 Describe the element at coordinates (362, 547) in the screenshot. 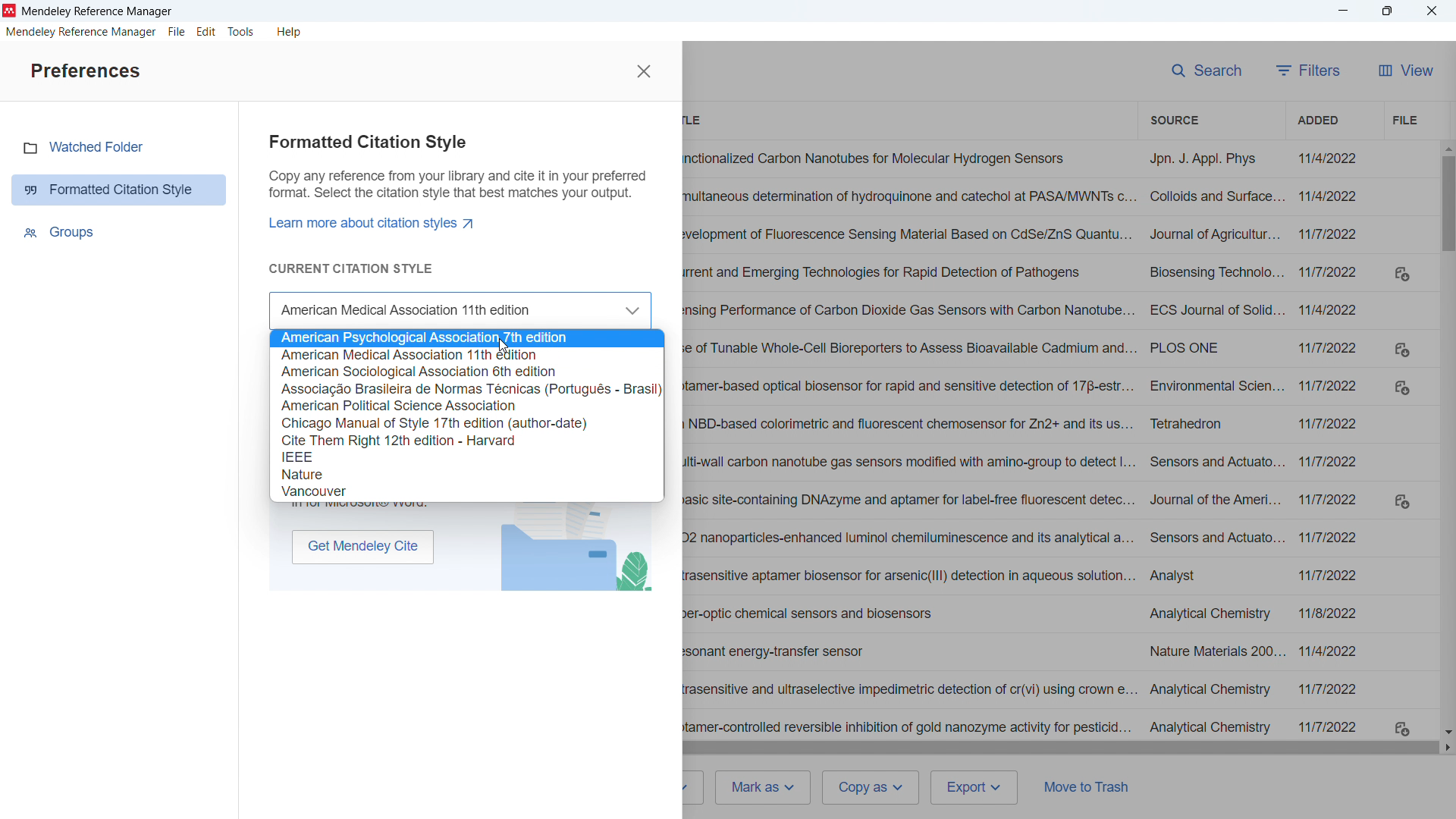

I see `get microsoft Word add on` at that location.